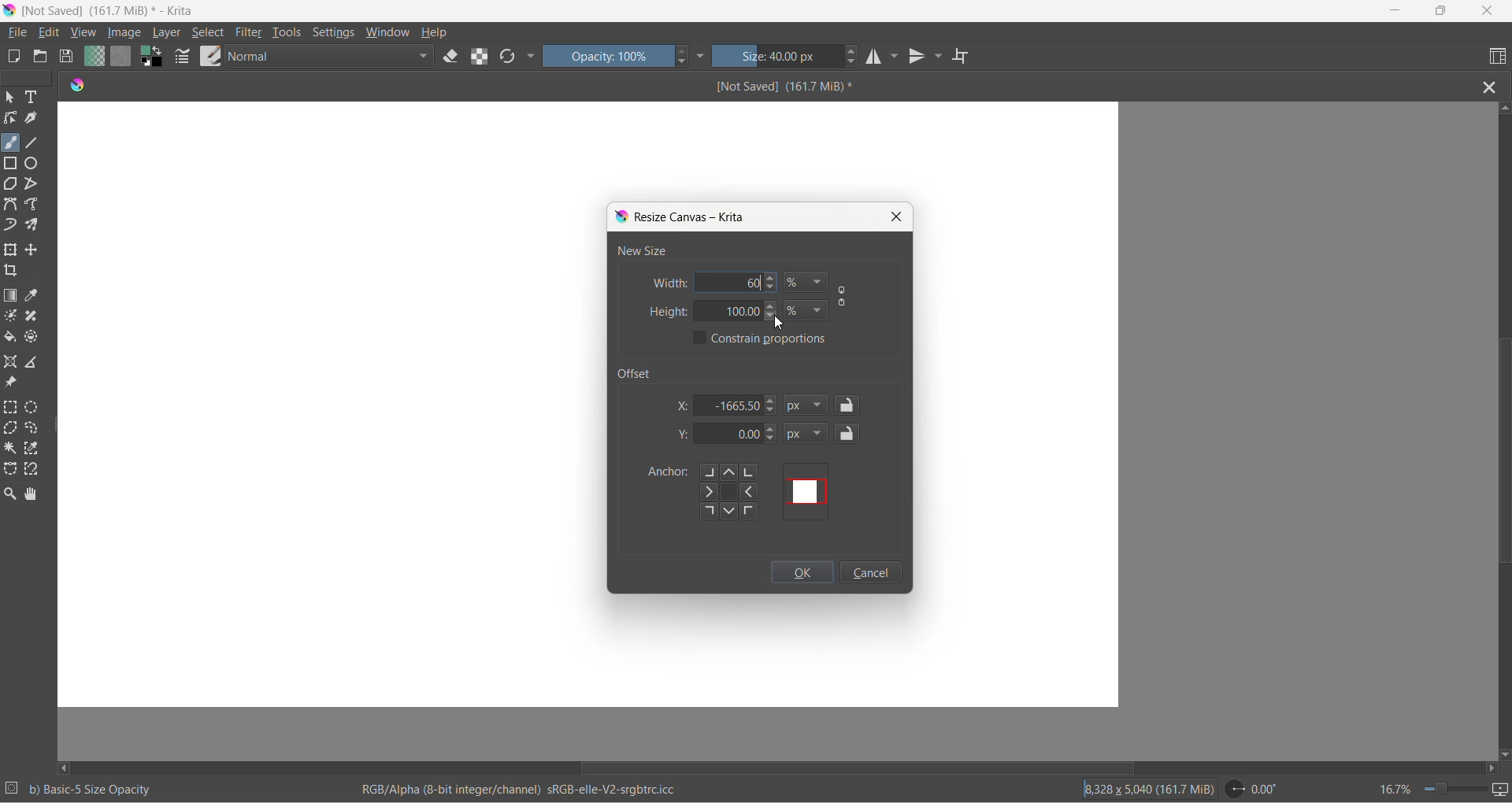 The height and width of the screenshot is (803, 1512). I want to click on opacity, so click(609, 56).